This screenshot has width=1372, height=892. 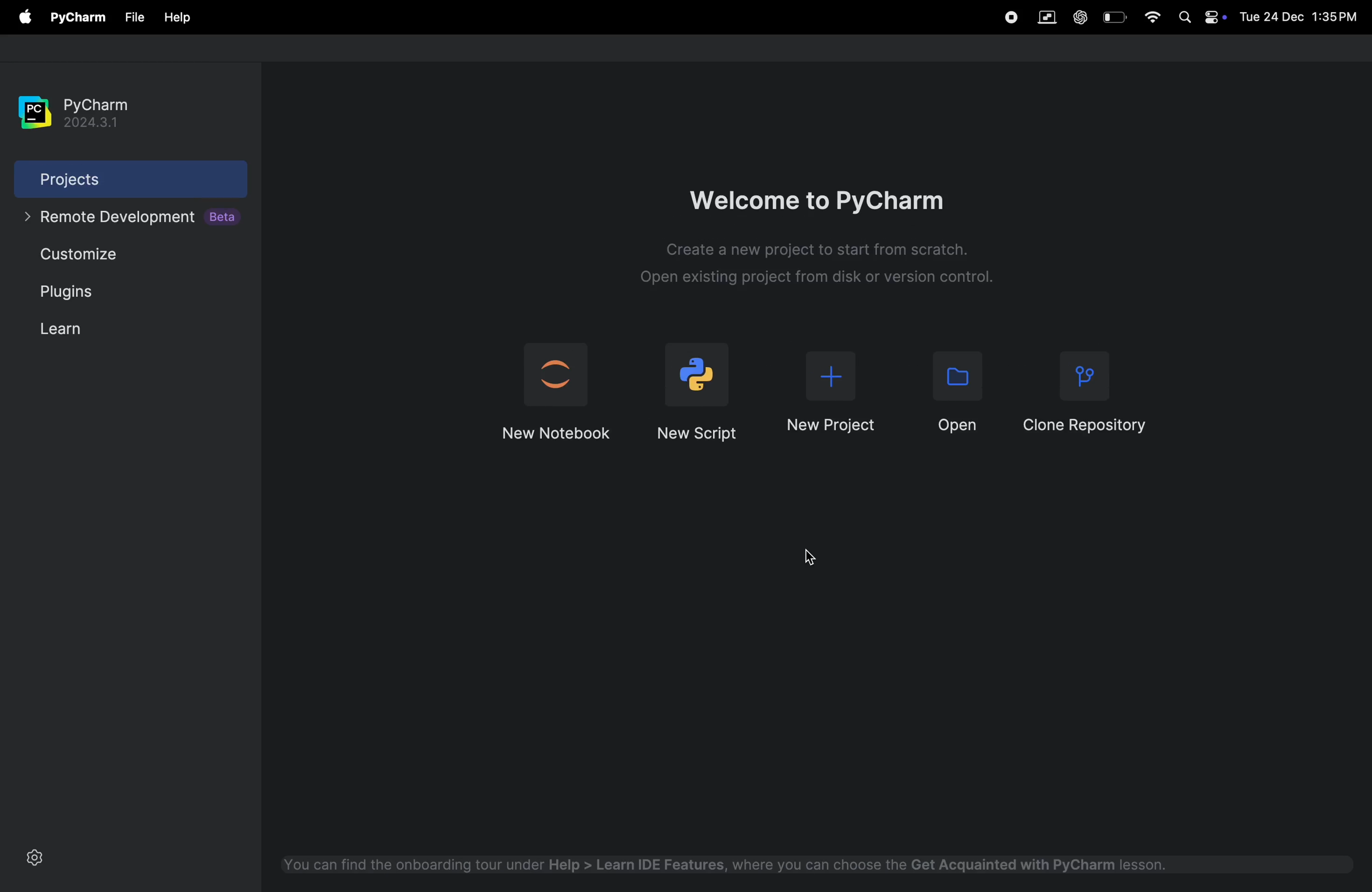 What do you see at coordinates (127, 218) in the screenshot?
I see `remote developement` at bounding box center [127, 218].